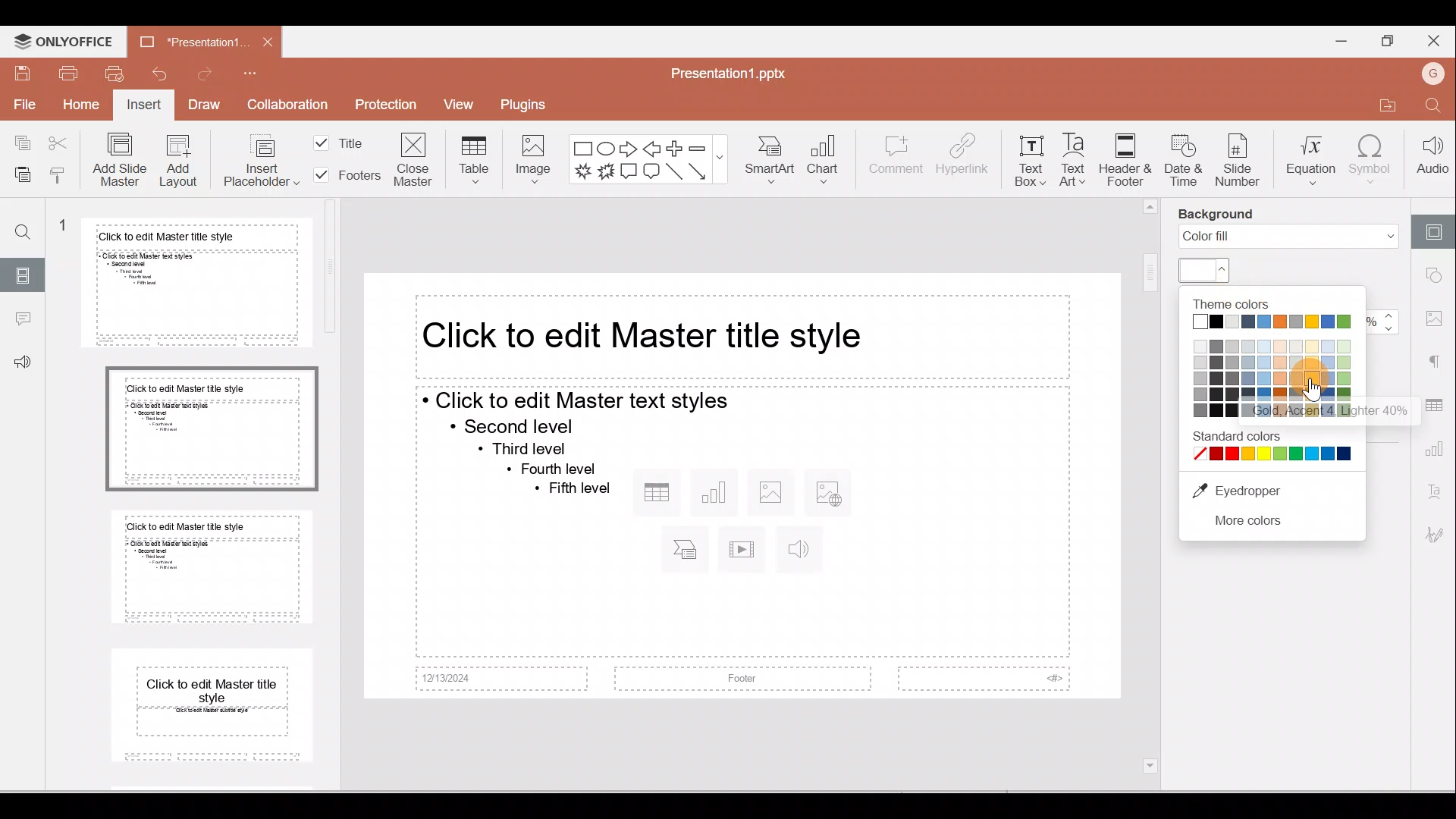 Image resolution: width=1456 pixels, height=819 pixels. Describe the element at coordinates (1072, 160) in the screenshot. I see `Text Art` at that location.